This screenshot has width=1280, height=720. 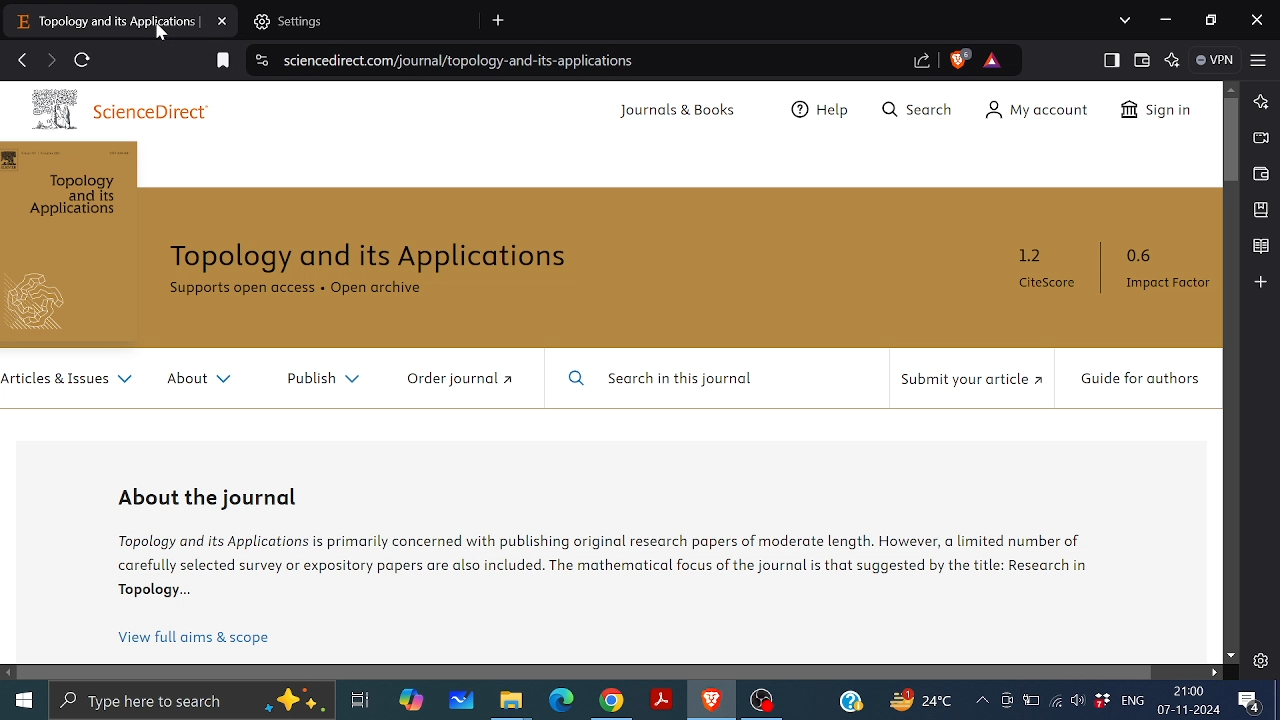 I want to click on Add bookmark, so click(x=224, y=60).